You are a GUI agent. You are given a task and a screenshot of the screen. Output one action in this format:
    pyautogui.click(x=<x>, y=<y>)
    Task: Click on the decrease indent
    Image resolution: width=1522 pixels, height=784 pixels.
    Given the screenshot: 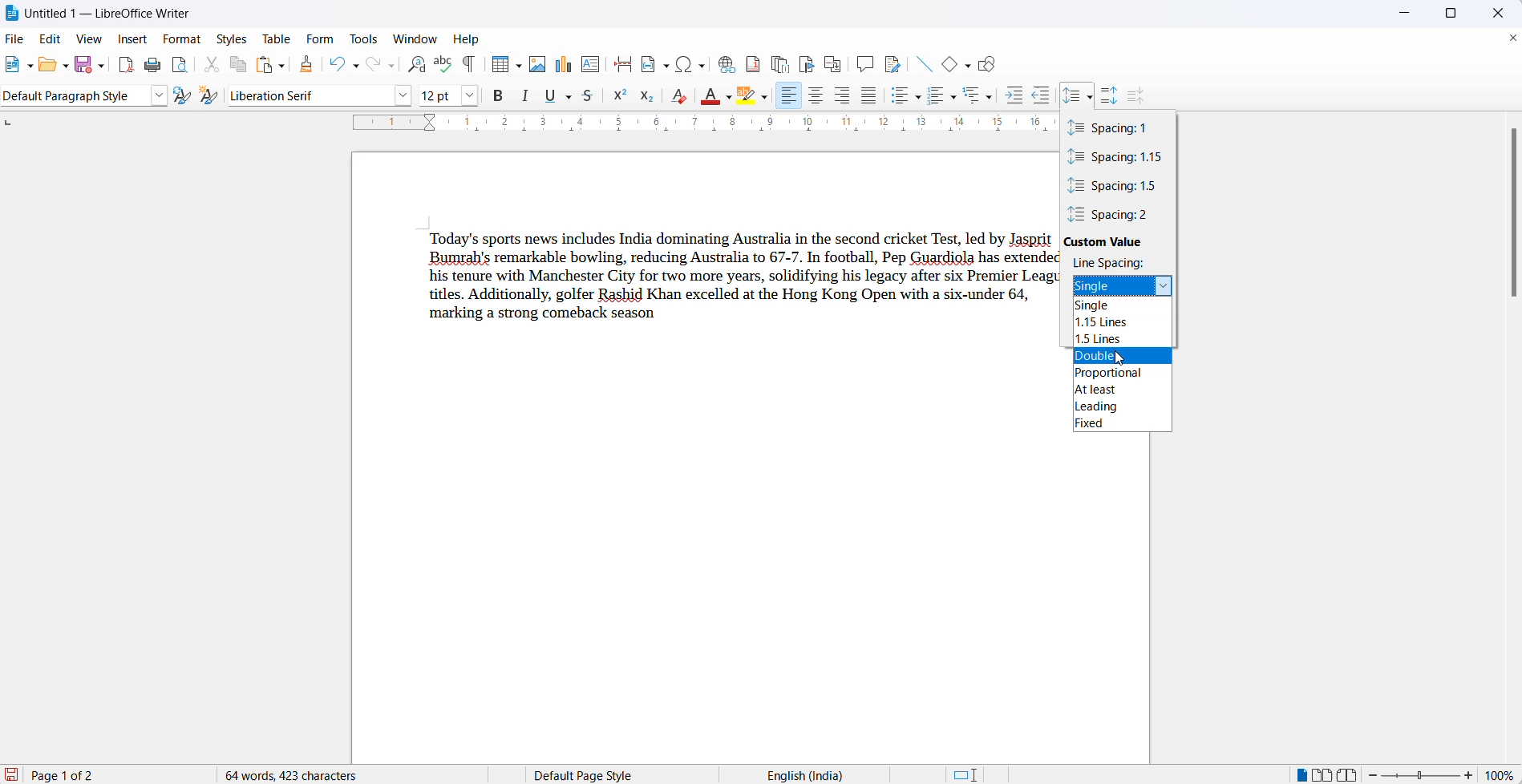 What is the action you would take?
    pyautogui.click(x=1045, y=96)
    